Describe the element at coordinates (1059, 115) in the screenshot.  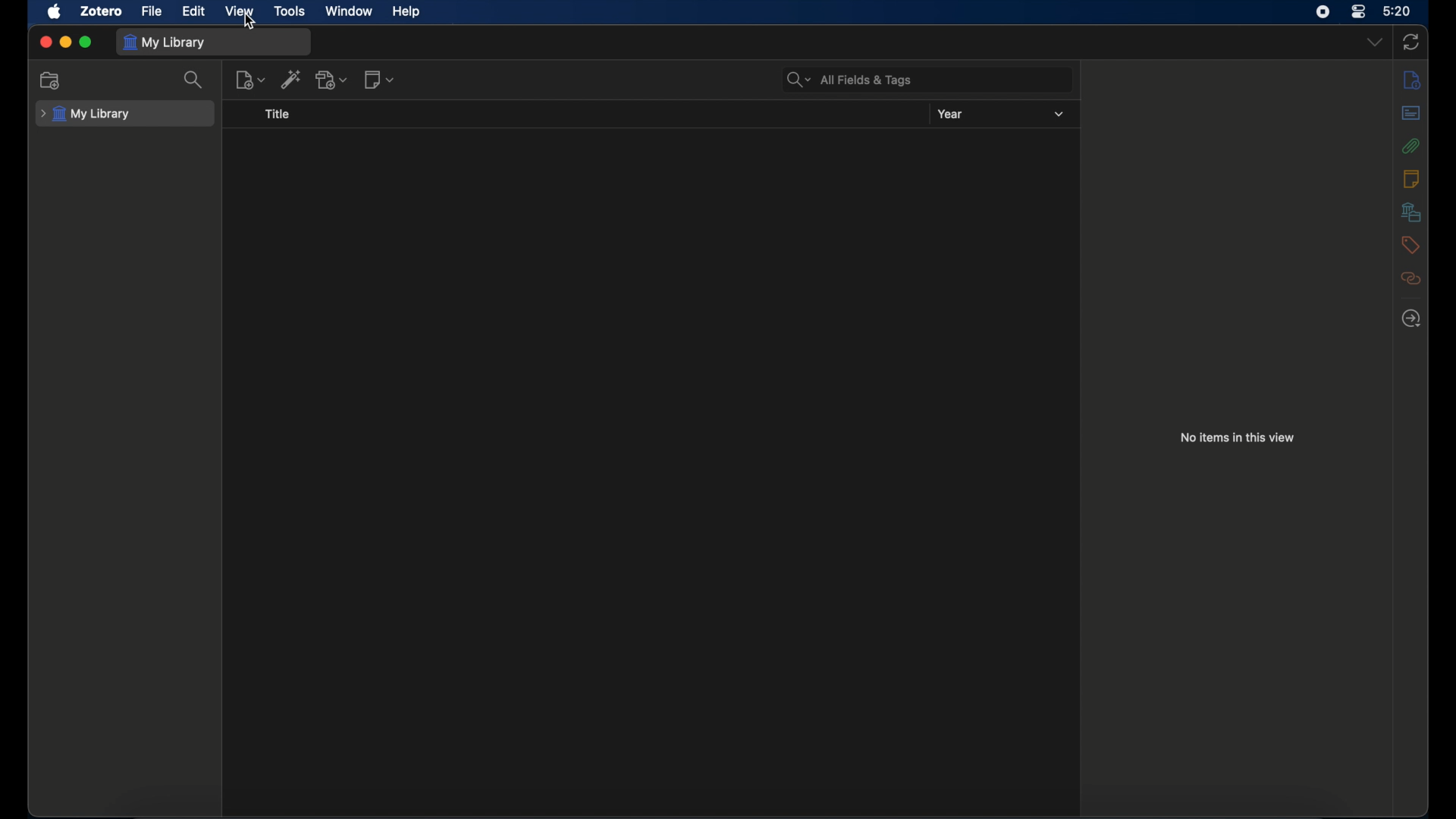
I see `year drop-down menu` at that location.